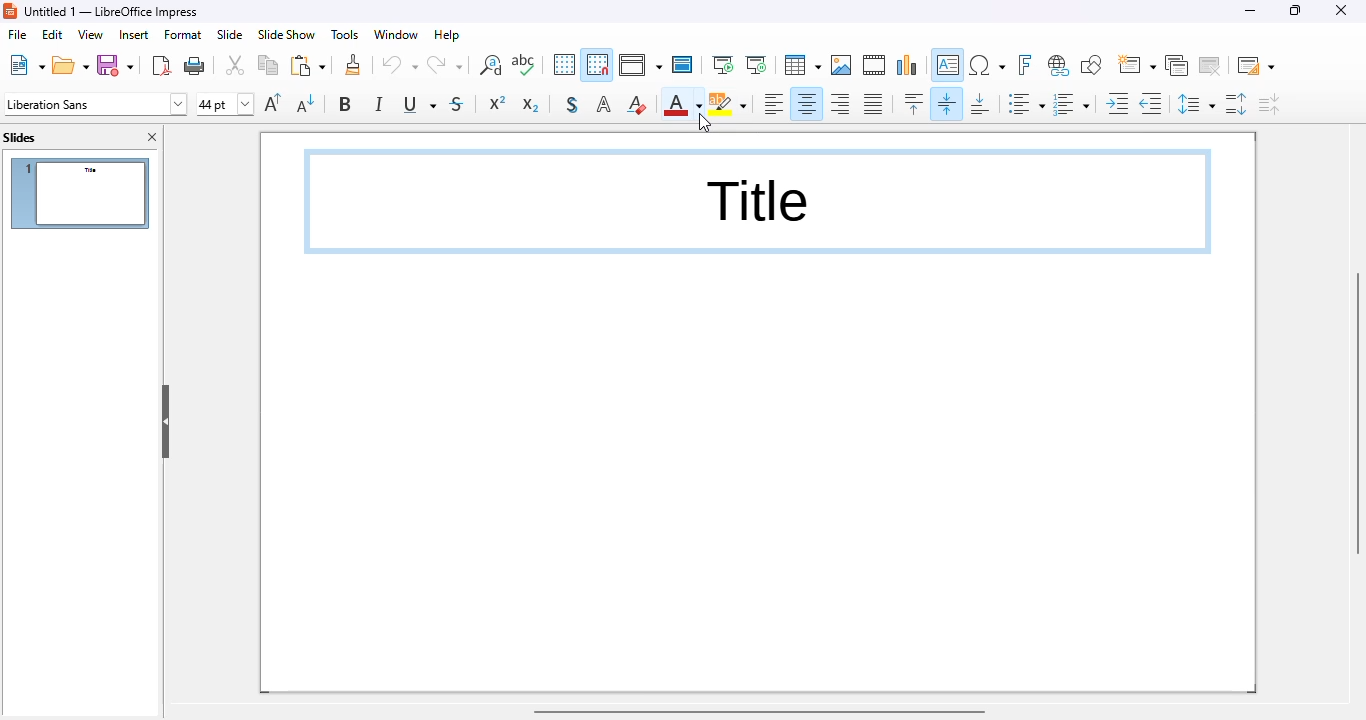 The image size is (1366, 720). What do you see at coordinates (806, 104) in the screenshot?
I see `align center` at bounding box center [806, 104].